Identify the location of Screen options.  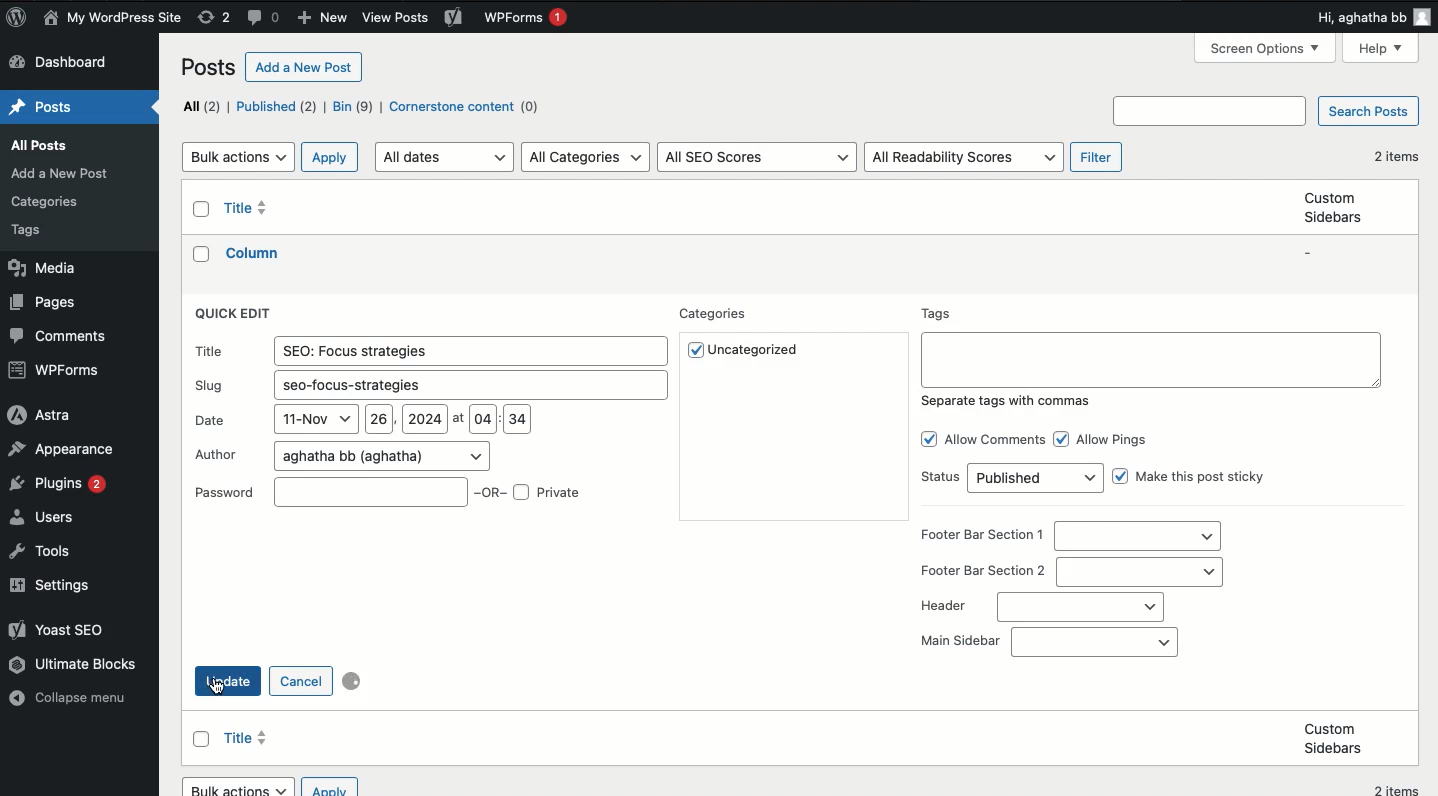
(1268, 47).